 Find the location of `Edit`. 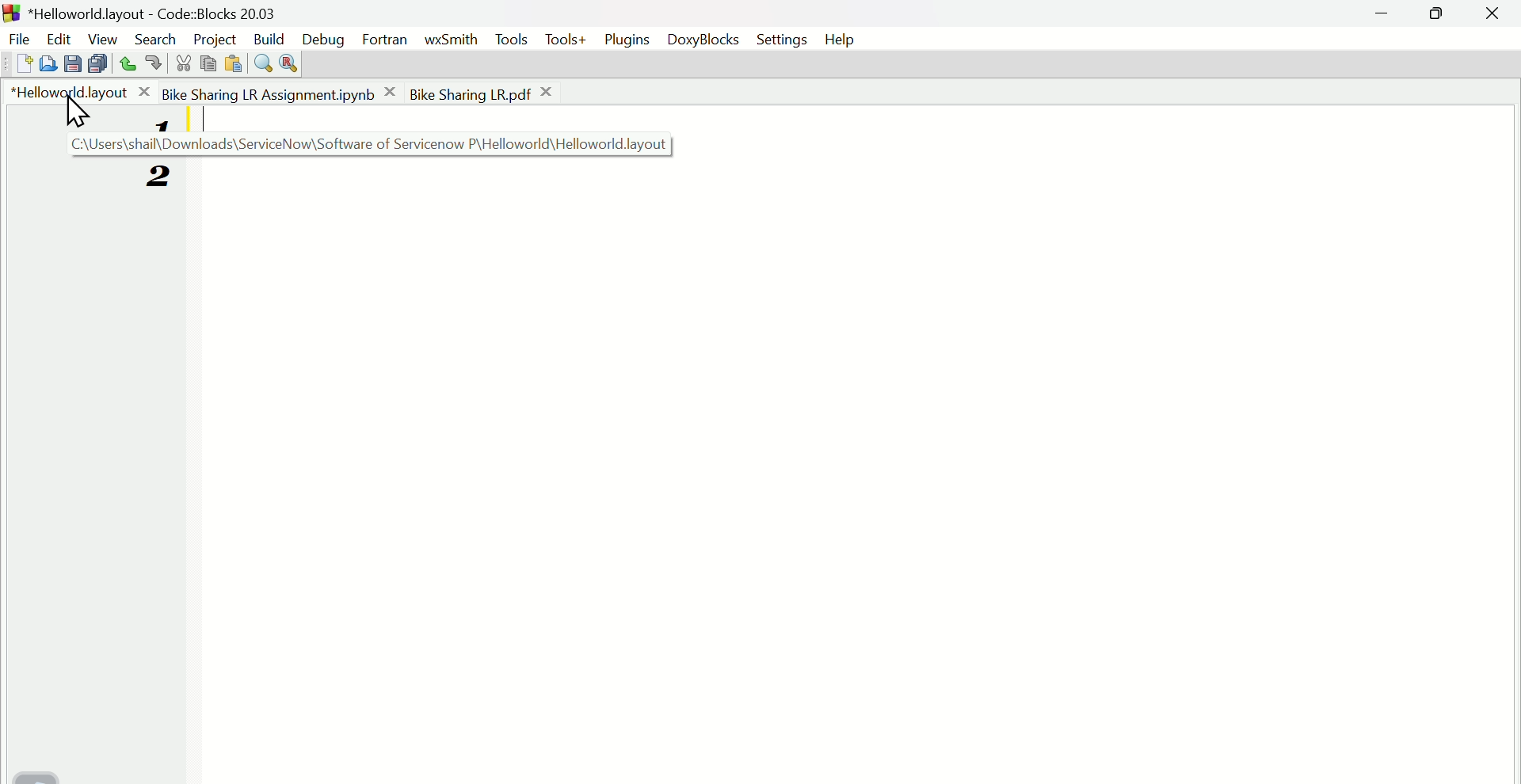

Edit is located at coordinates (56, 37).